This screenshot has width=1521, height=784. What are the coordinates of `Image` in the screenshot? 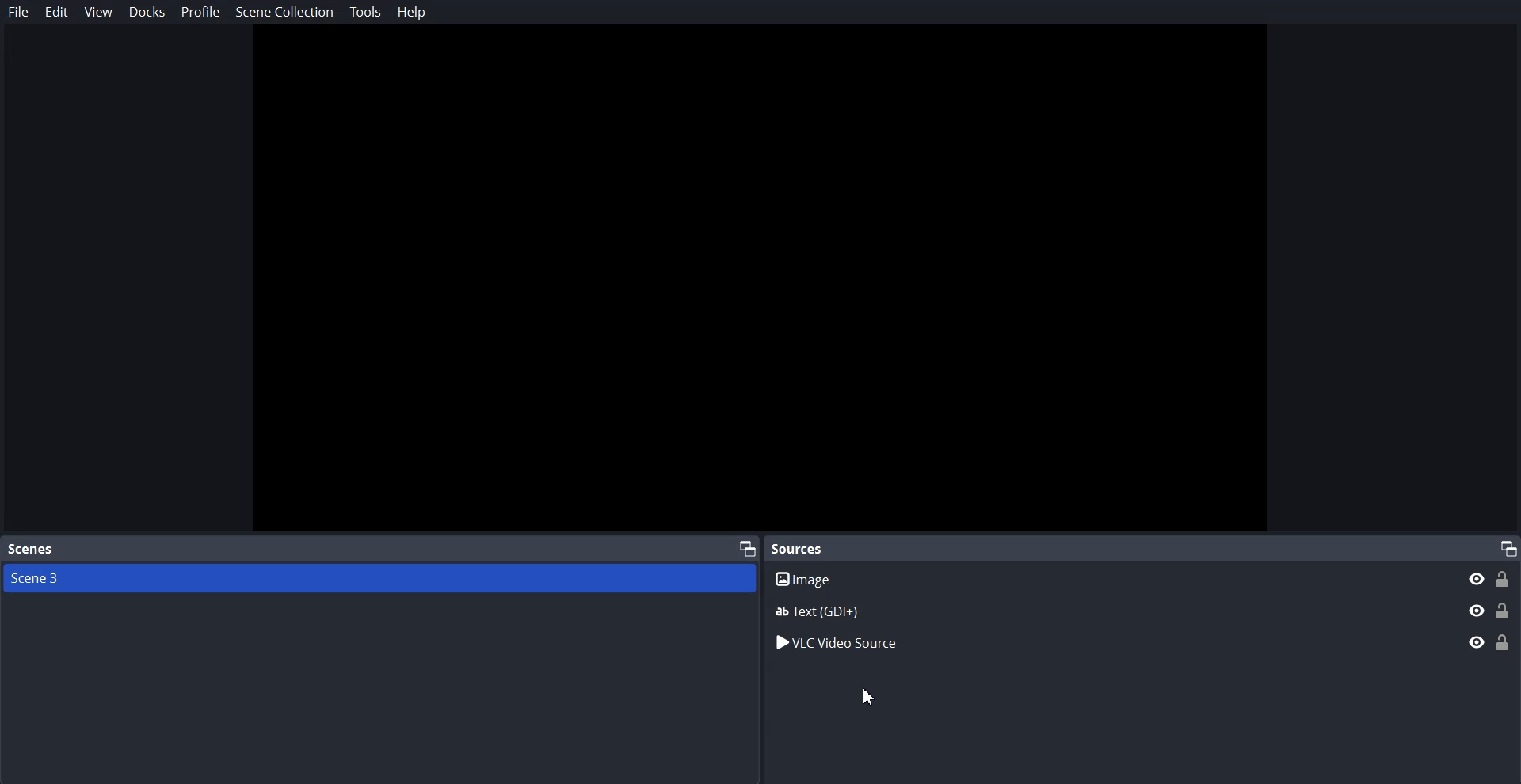 It's located at (1143, 578).